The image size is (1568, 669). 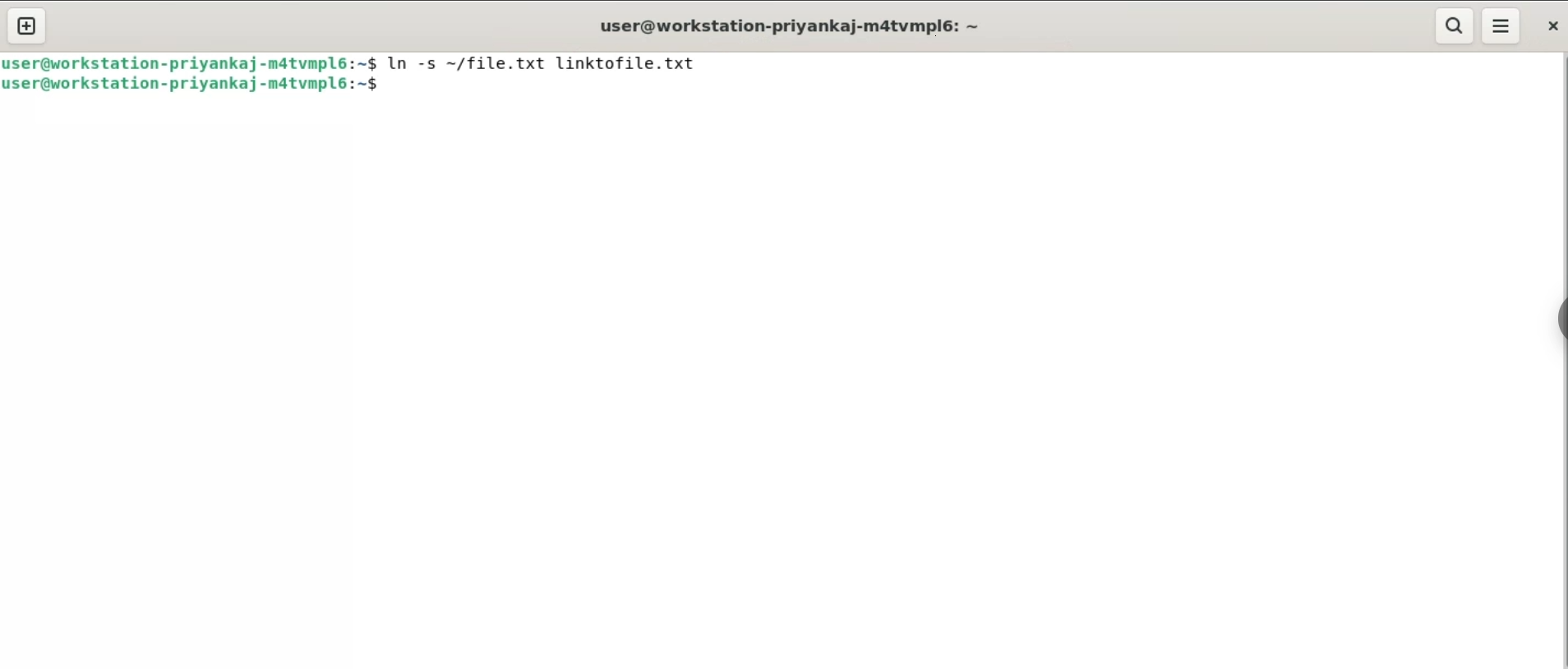 I want to click on close, so click(x=1552, y=25).